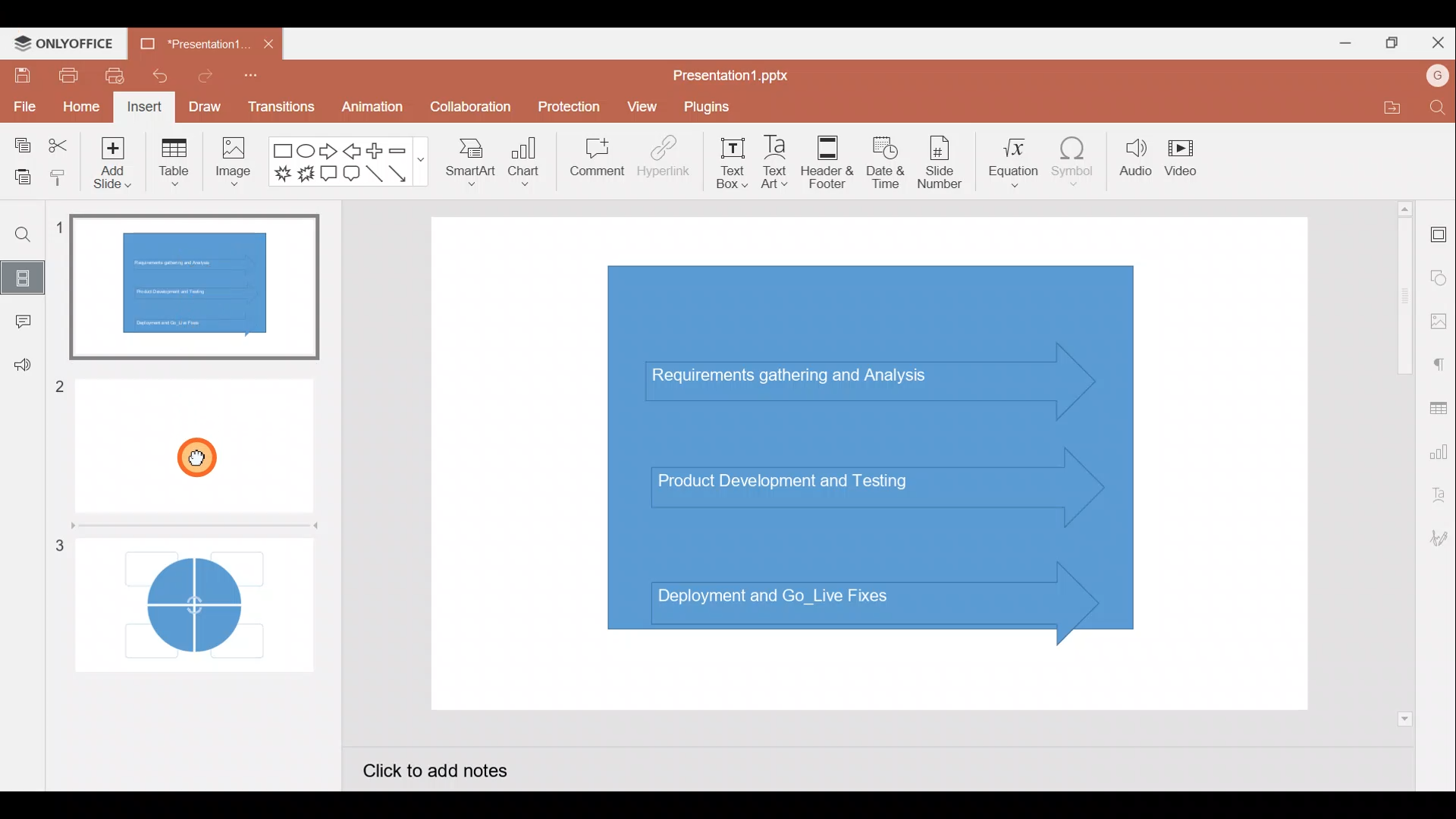  I want to click on Table, so click(174, 165).